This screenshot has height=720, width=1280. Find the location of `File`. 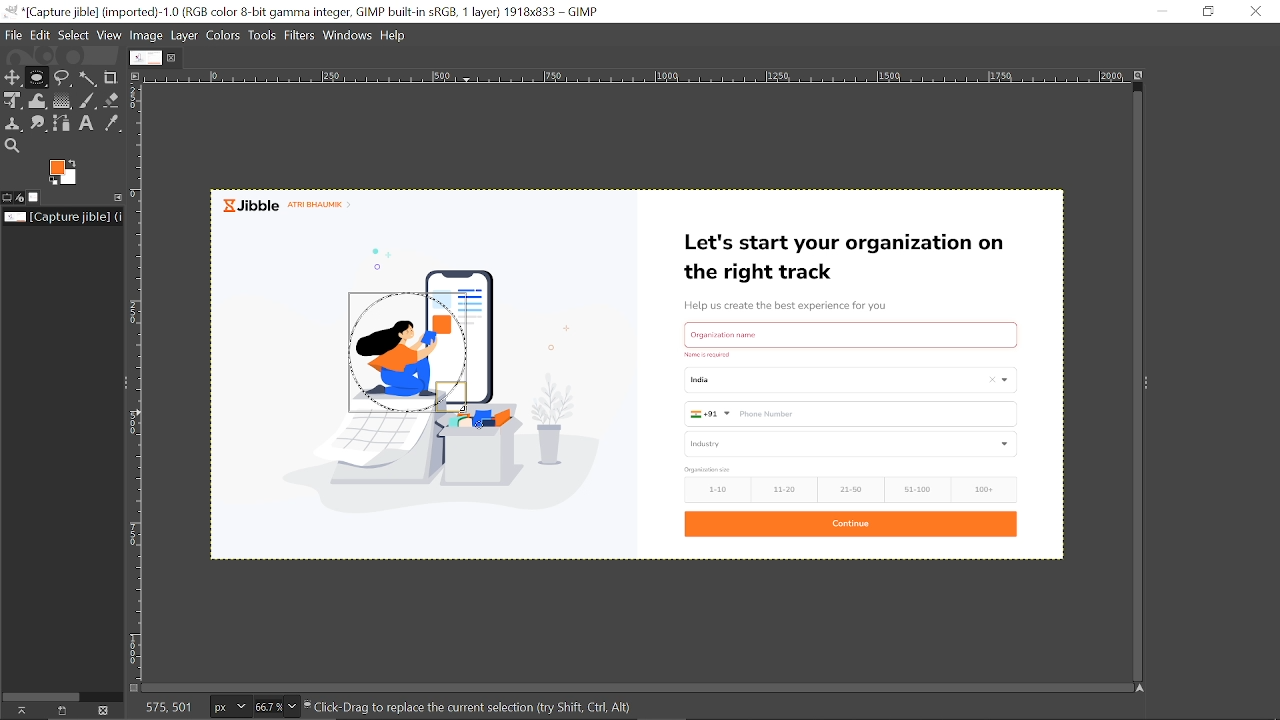

File is located at coordinates (14, 35).